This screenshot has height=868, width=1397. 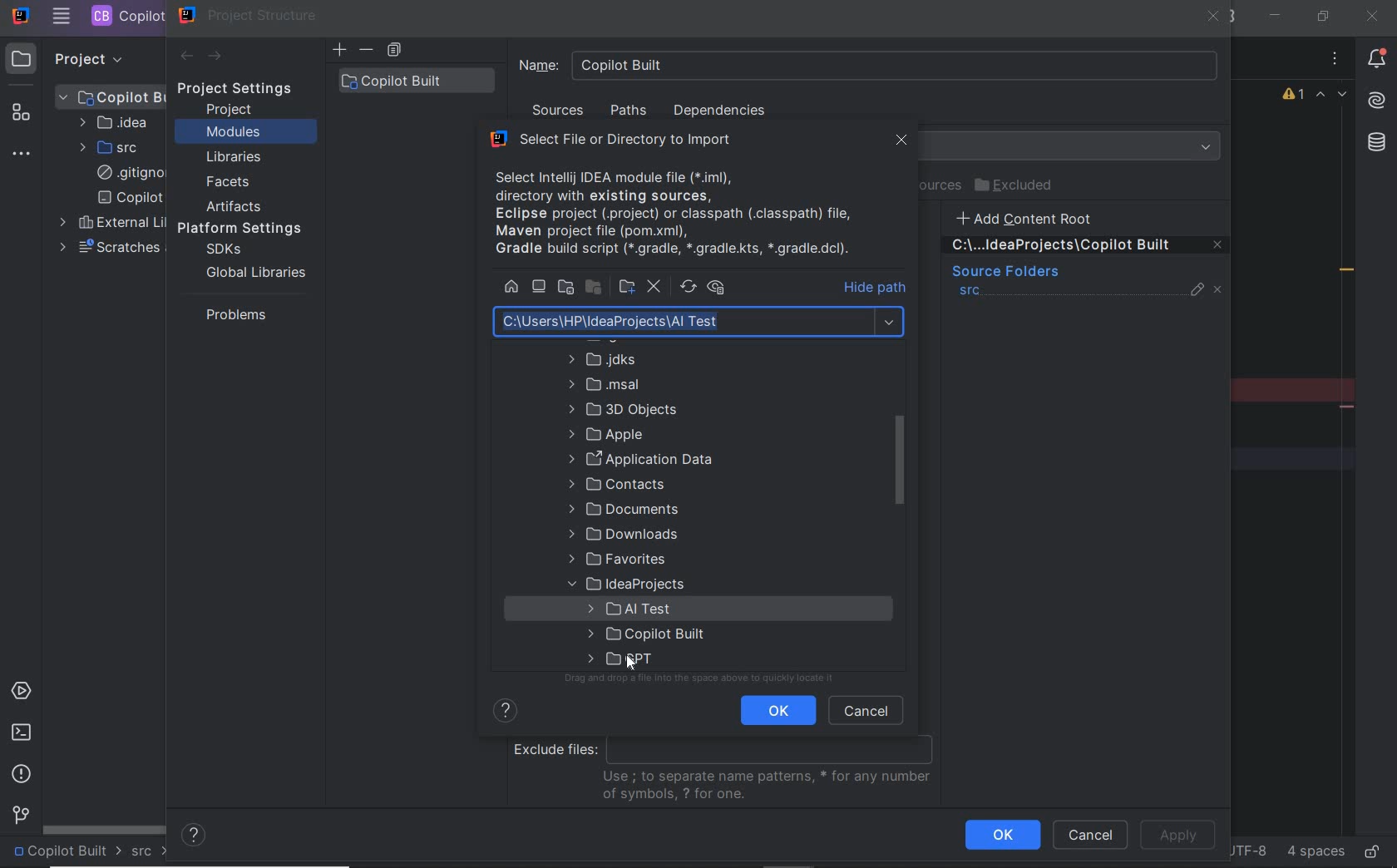 I want to click on PROJECT FILE ANME, so click(x=112, y=96).